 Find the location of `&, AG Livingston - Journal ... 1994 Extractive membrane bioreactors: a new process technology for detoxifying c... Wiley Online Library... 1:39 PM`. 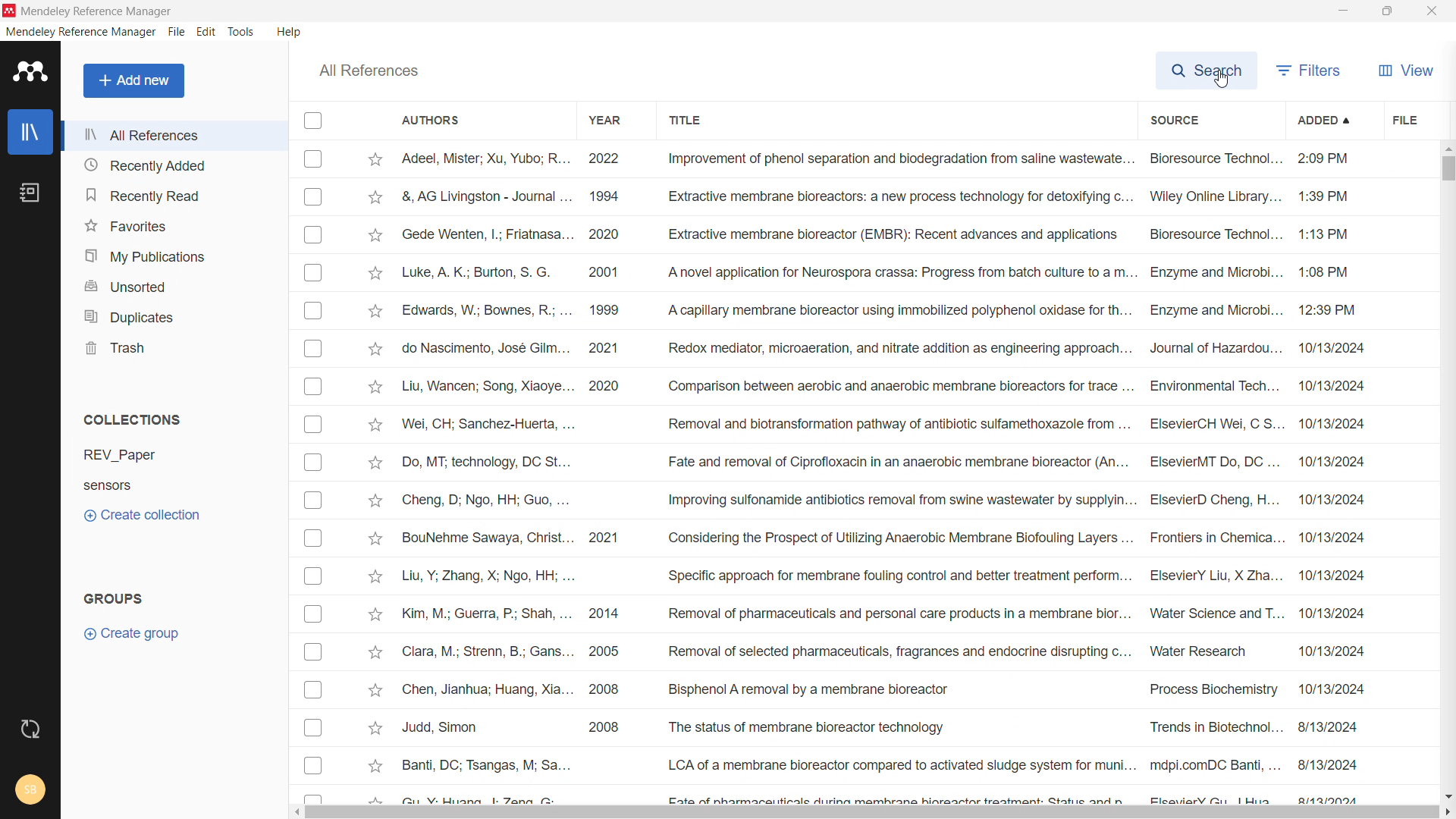

&, AG Livingston - Journal ... 1994 Extractive membrane bioreactors: a new process technology for detoxifying c... Wiley Online Library... 1:39 PM is located at coordinates (902, 196).